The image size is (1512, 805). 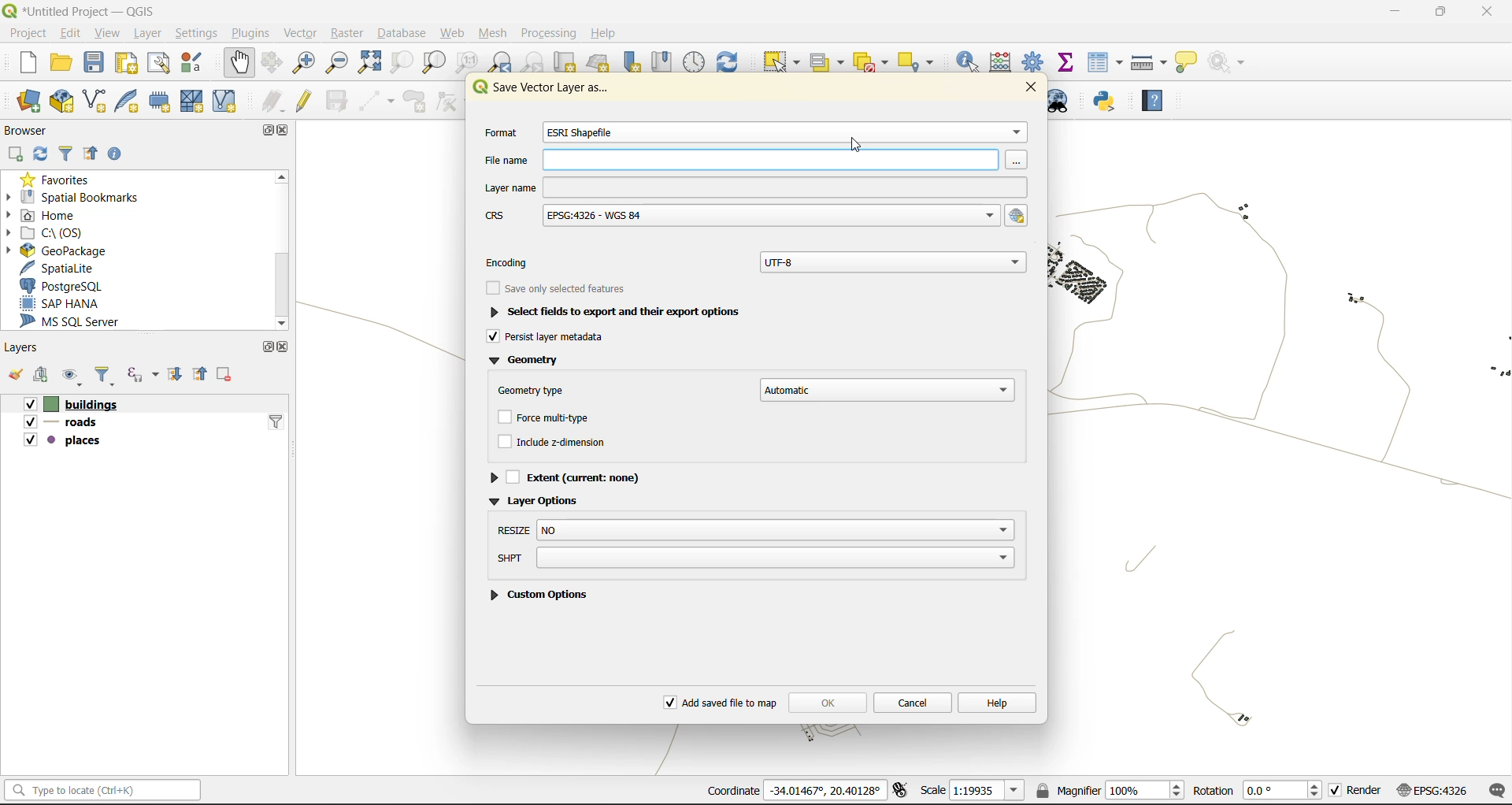 What do you see at coordinates (91, 152) in the screenshot?
I see `collapse all` at bounding box center [91, 152].